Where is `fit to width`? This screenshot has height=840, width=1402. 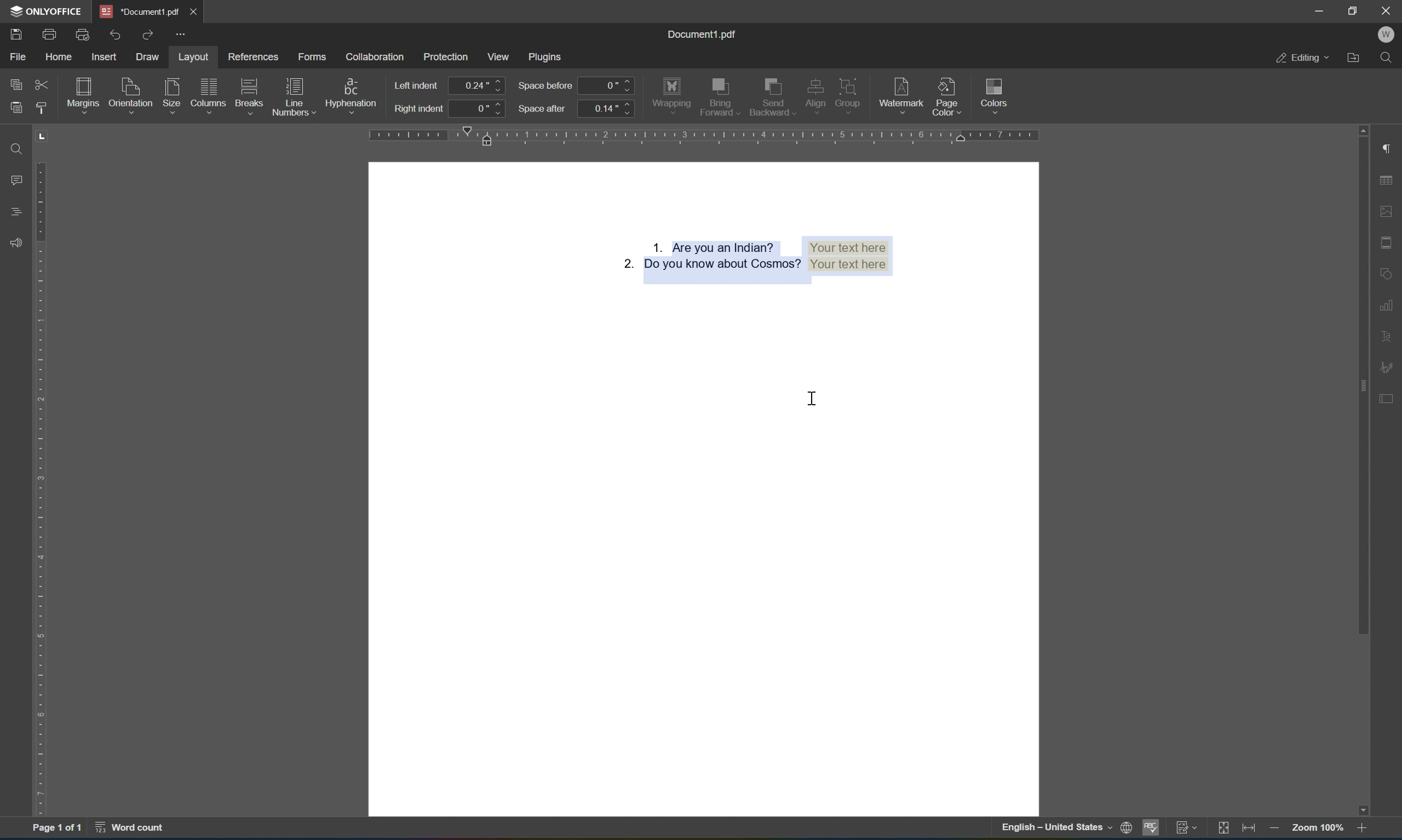 fit to width is located at coordinates (1249, 830).